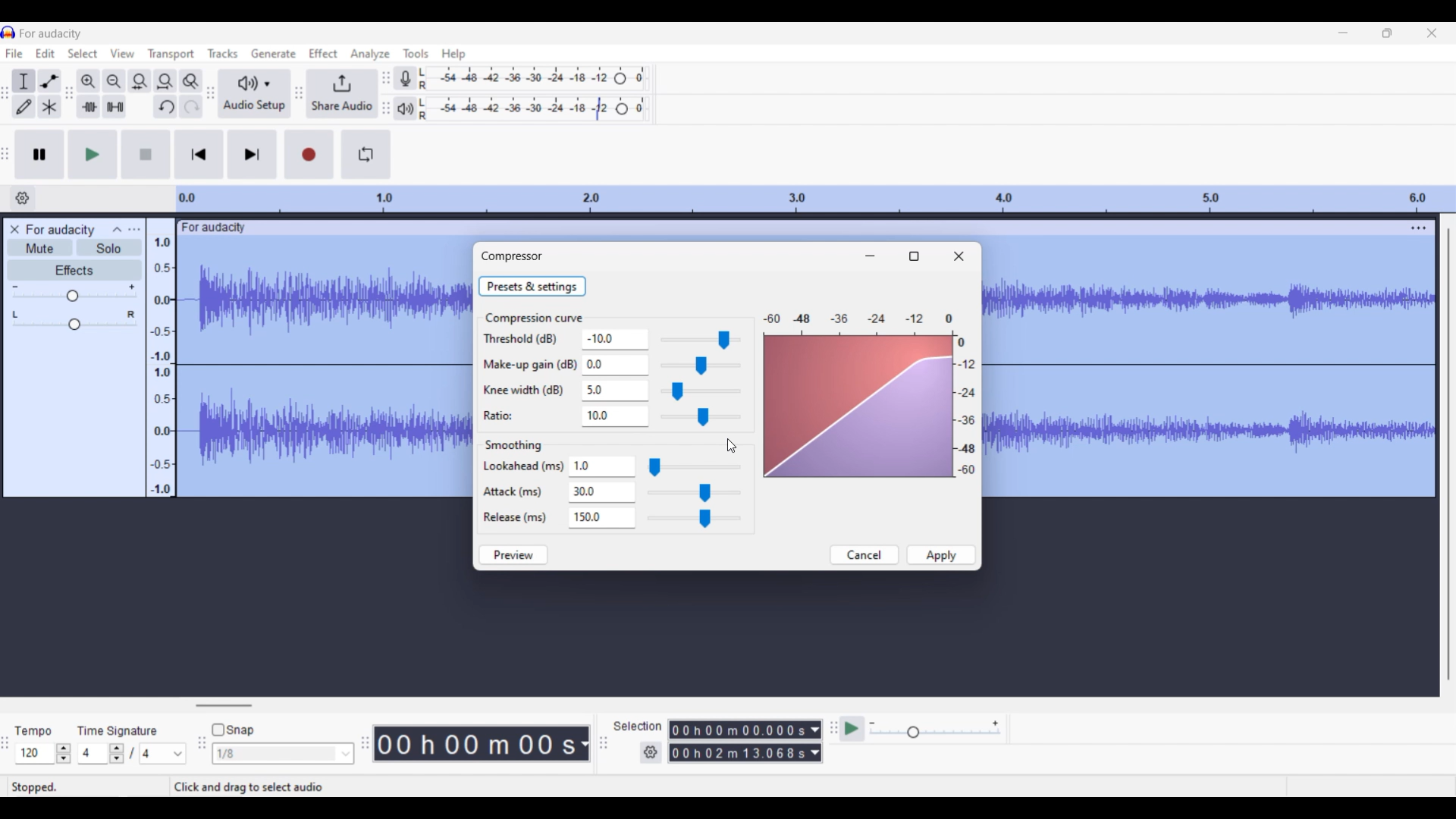 The width and height of the screenshot is (1456, 819). Describe the element at coordinates (701, 391) in the screenshot. I see `Knee width slider` at that location.